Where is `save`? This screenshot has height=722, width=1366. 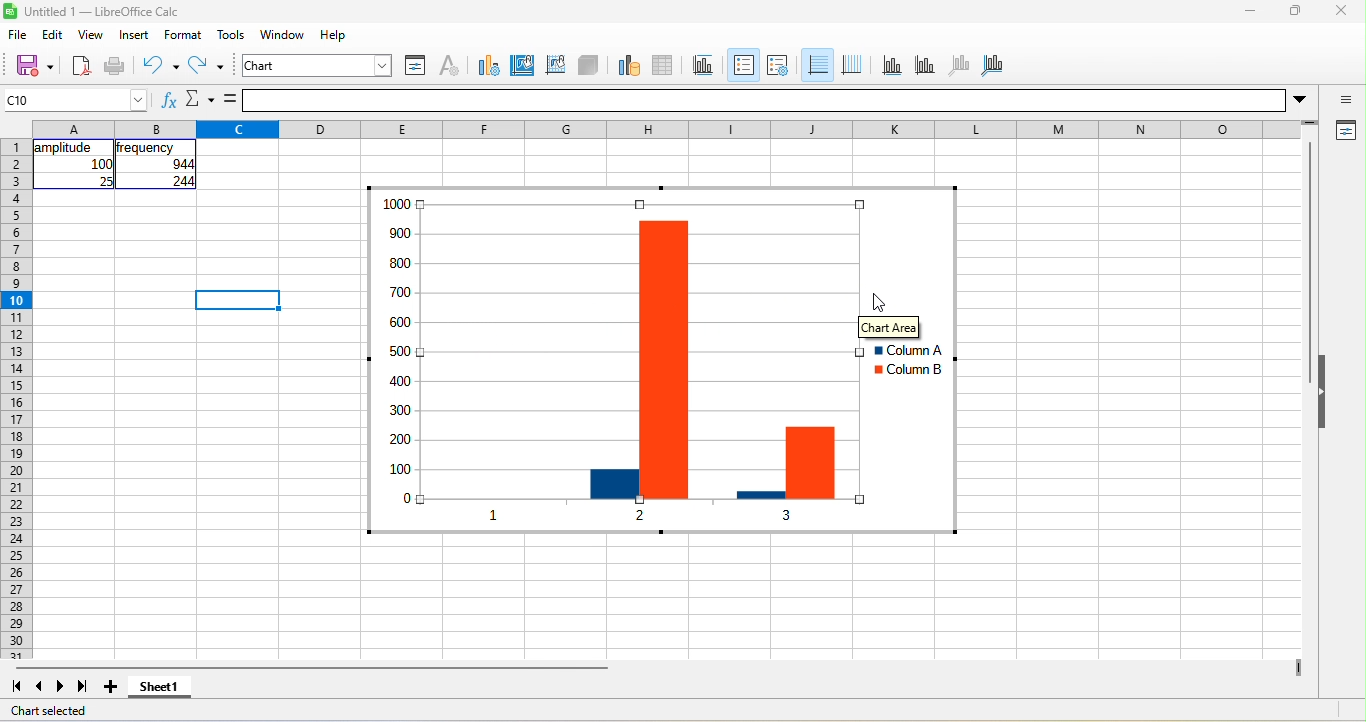
save is located at coordinates (28, 65).